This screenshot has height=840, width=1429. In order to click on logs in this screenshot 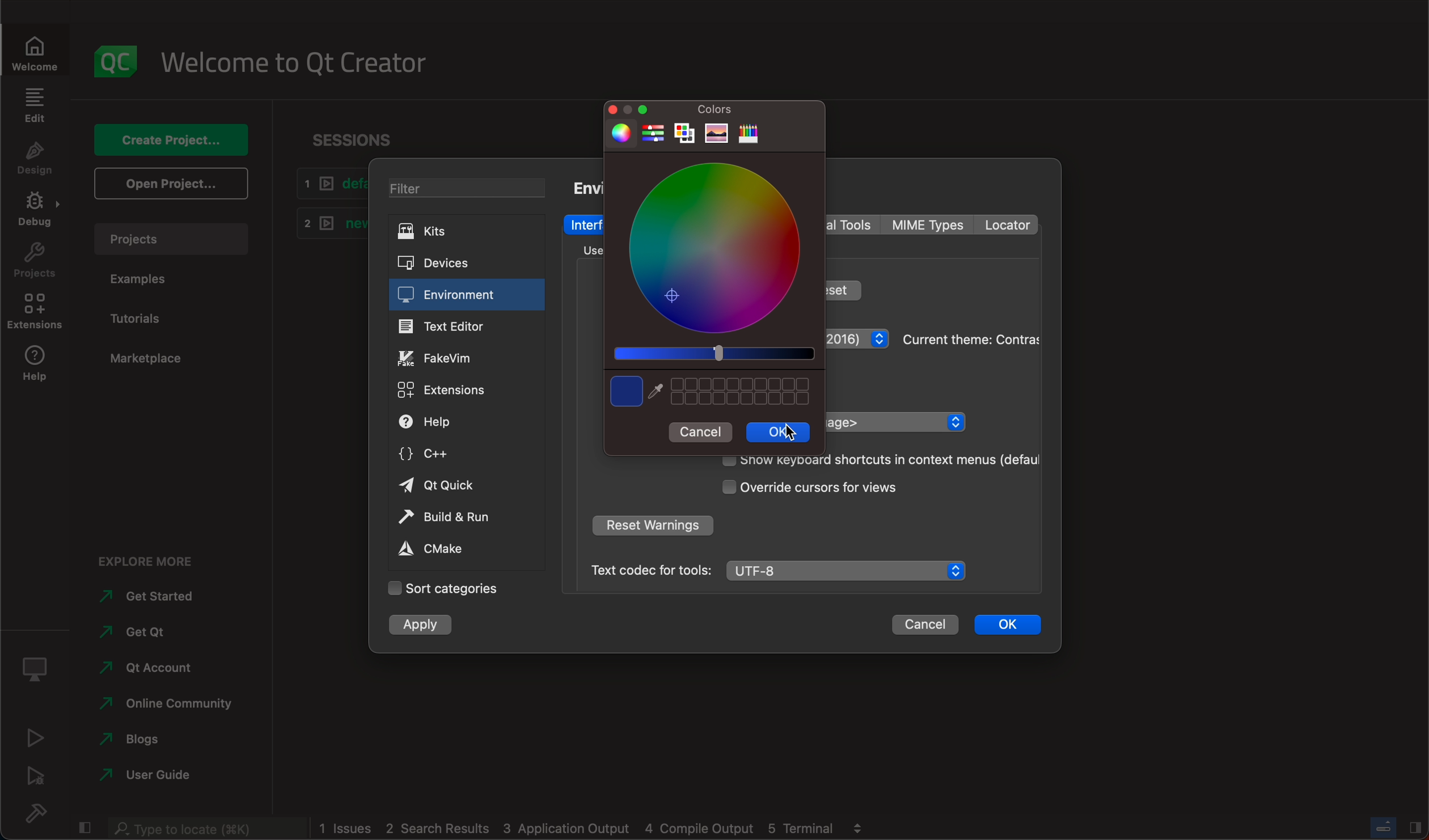, I will do `click(577, 829)`.